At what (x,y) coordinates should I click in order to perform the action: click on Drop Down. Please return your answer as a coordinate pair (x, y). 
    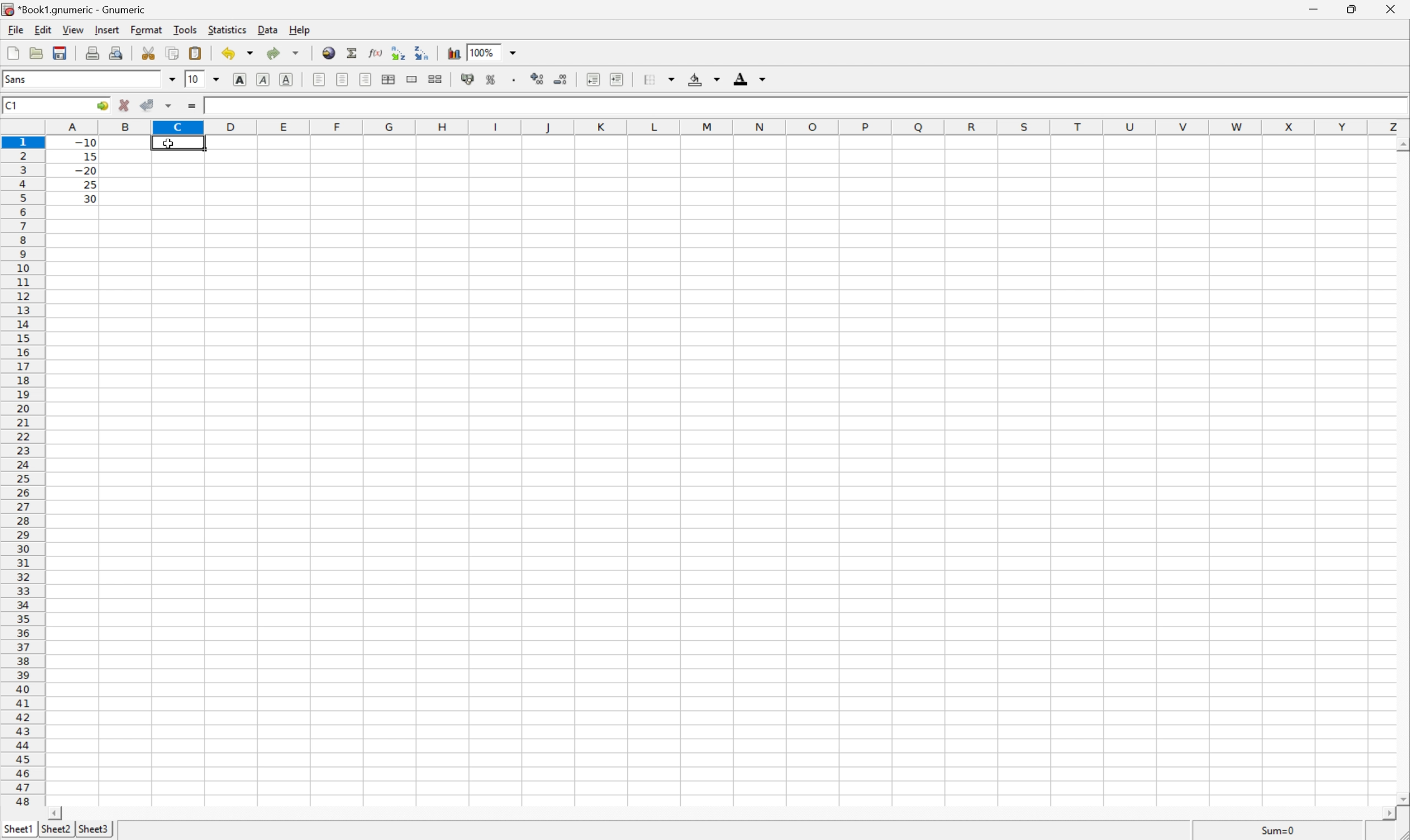
    Looking at the image, I should click on (516, 52).